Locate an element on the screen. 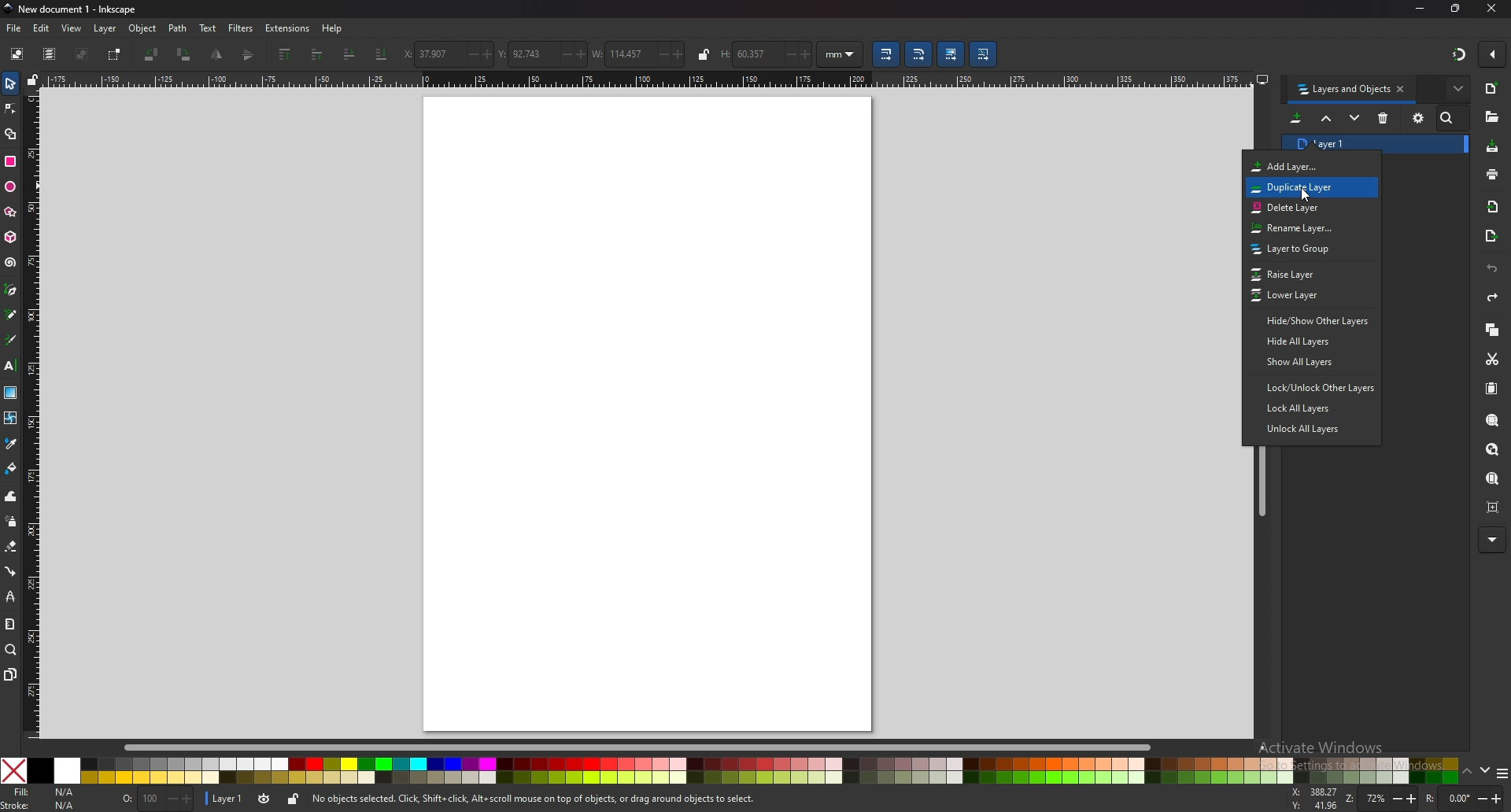 This screenshot has width=1511, height=812. tweak is located at coordinates (10, 496).